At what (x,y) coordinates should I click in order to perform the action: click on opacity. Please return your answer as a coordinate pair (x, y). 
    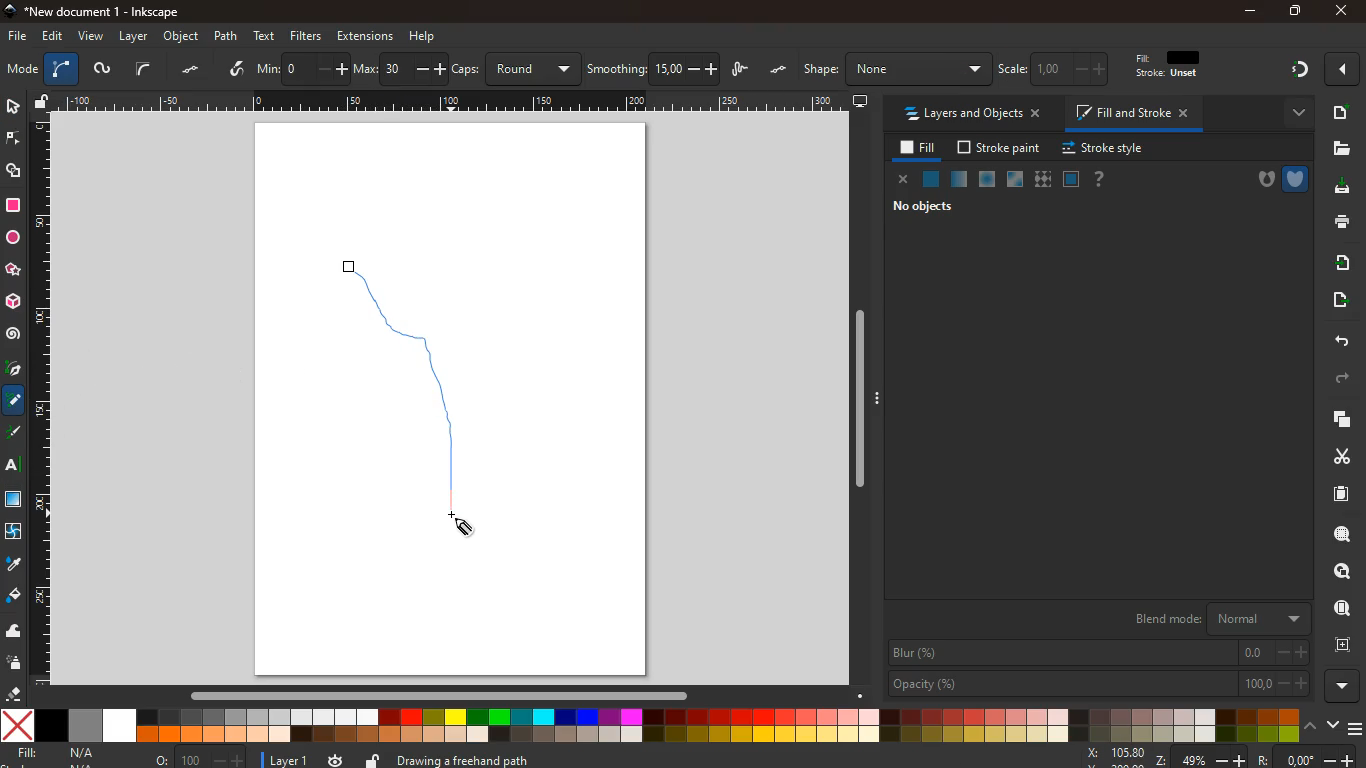
    Looking at the image, I should click on (960, 180).